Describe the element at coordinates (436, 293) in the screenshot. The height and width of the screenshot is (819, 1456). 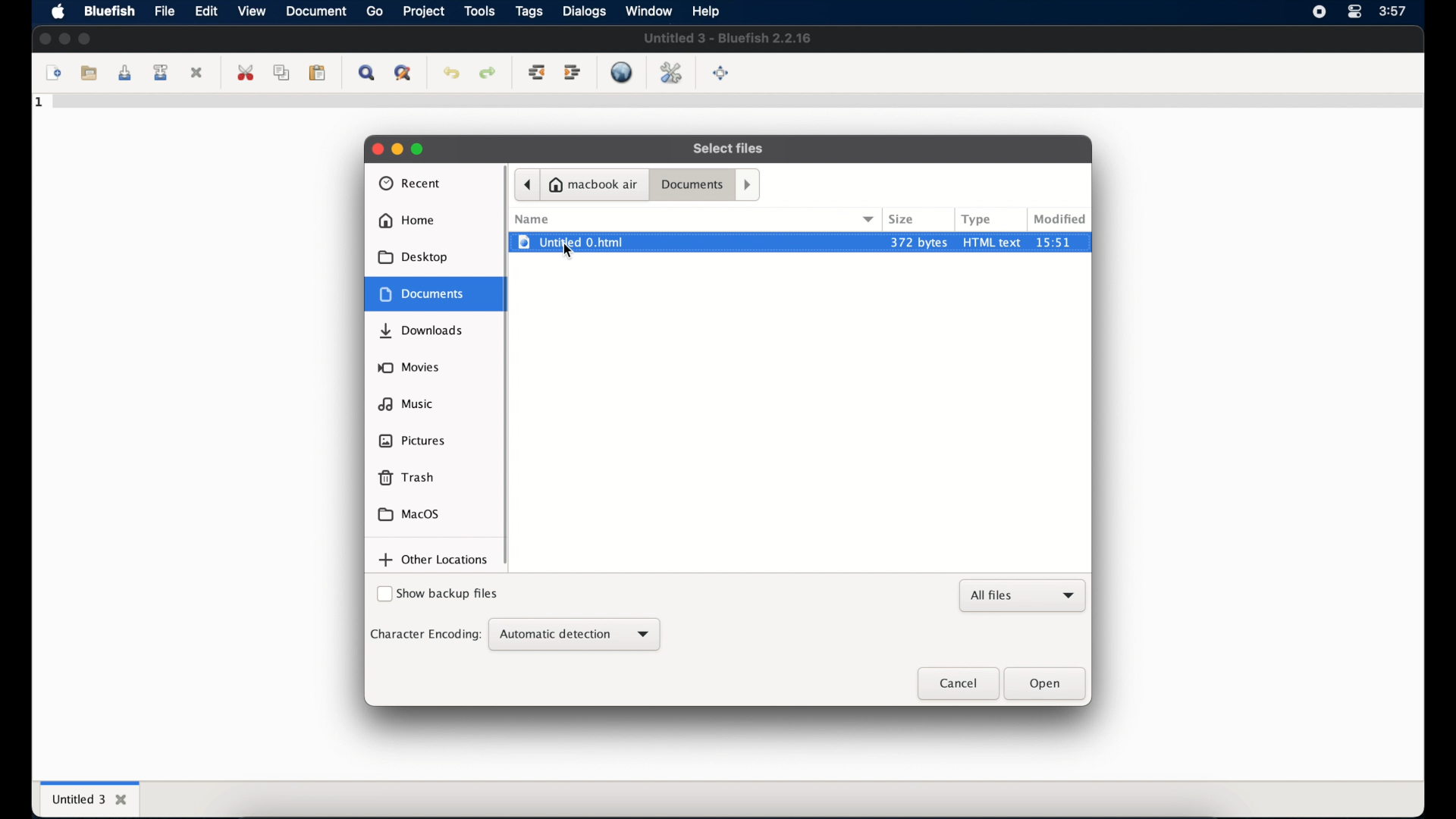
I see `documents  highlighted` at that location.